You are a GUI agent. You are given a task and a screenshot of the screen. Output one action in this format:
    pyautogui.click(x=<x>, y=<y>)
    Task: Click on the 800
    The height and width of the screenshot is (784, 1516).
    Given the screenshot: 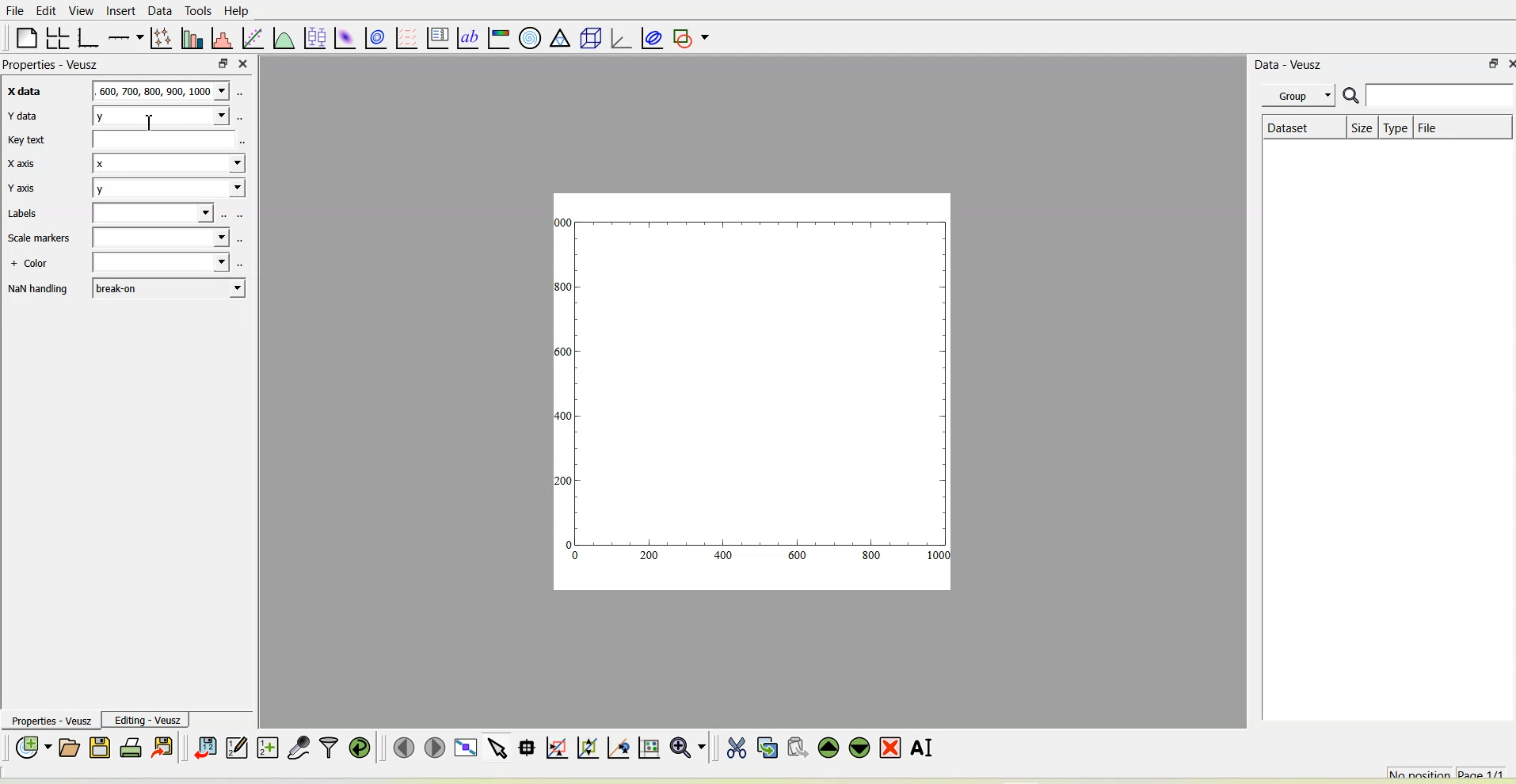 What is the action you would take?
    pyautogui.click(x=870, y=556)
    